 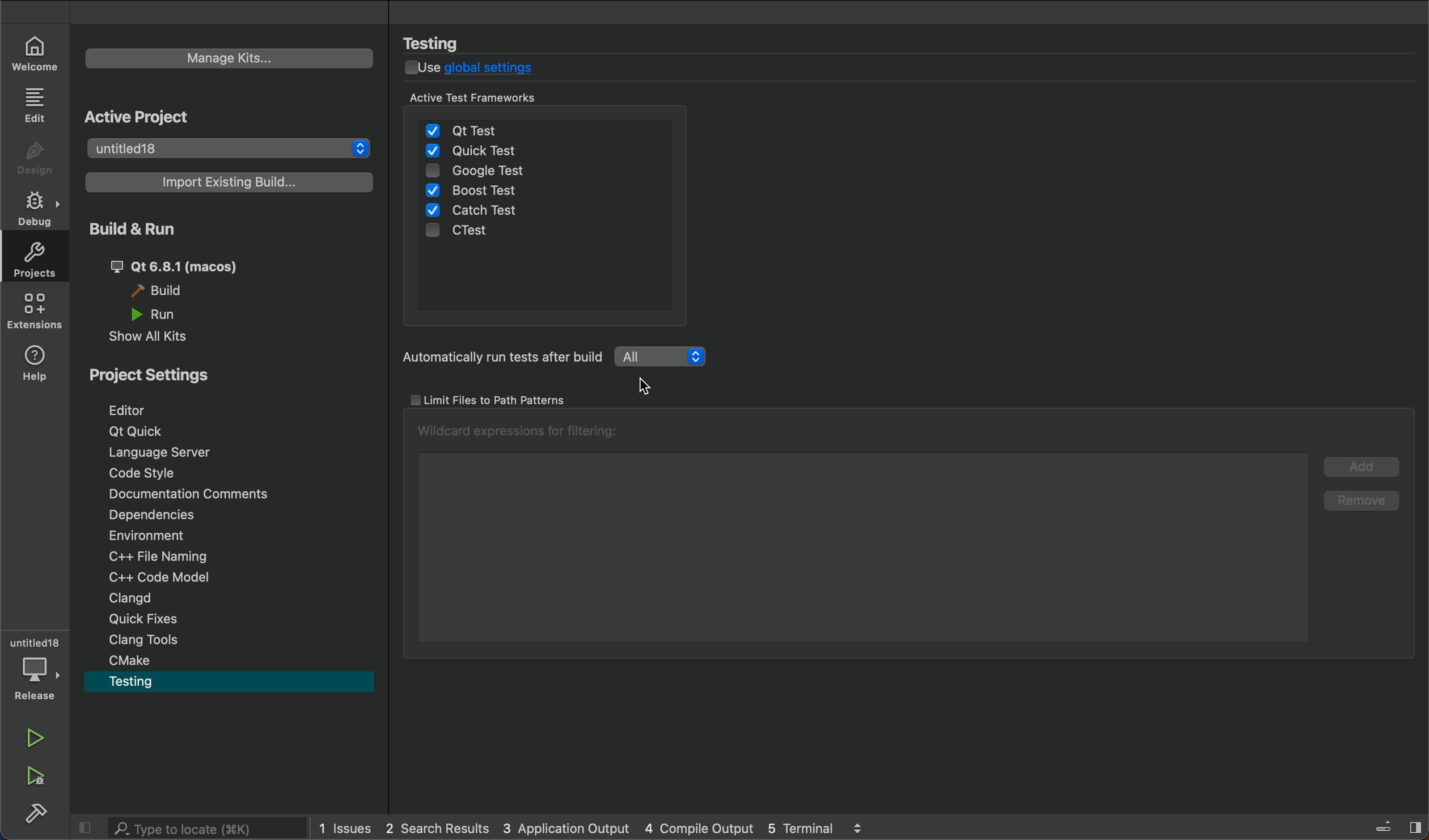 What do you see at coordinates (231, 58) in the screenshot?
I see `manage kits` at bounding box center [231, 58].